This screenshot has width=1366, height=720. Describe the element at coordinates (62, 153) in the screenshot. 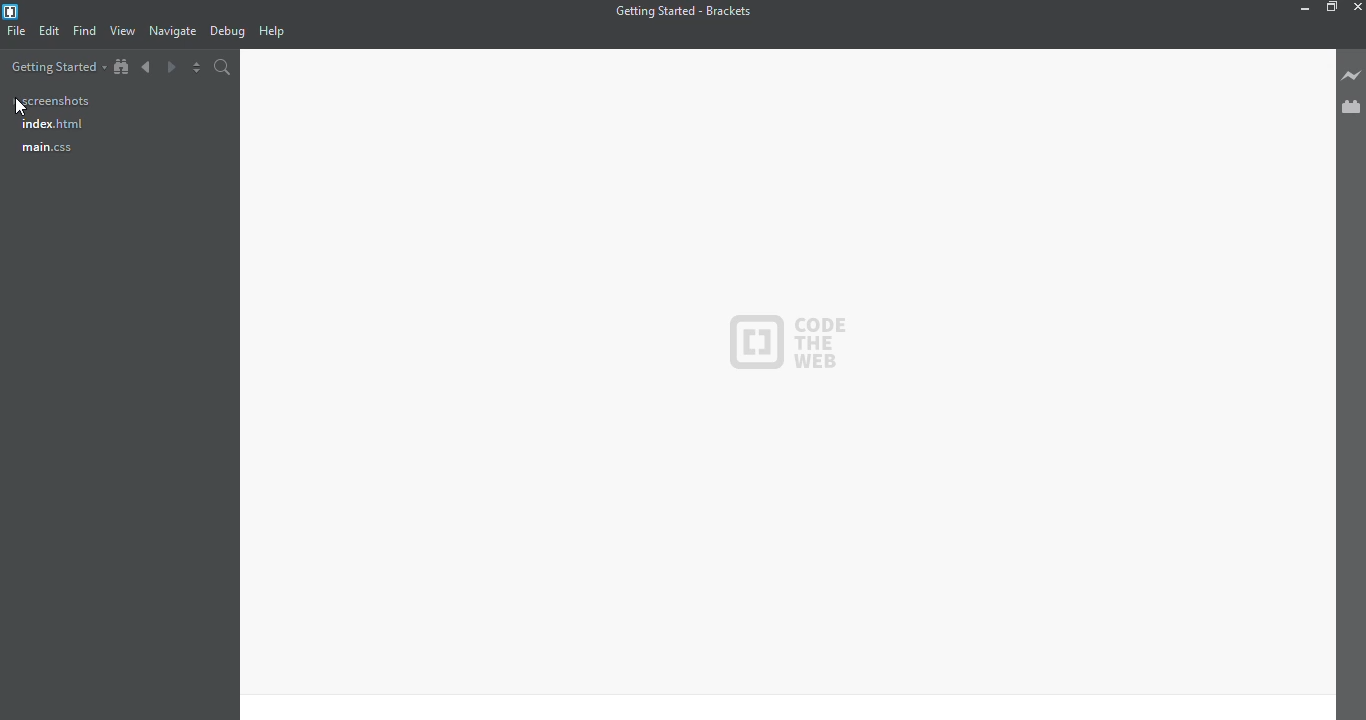

I see `main.css` at that location.